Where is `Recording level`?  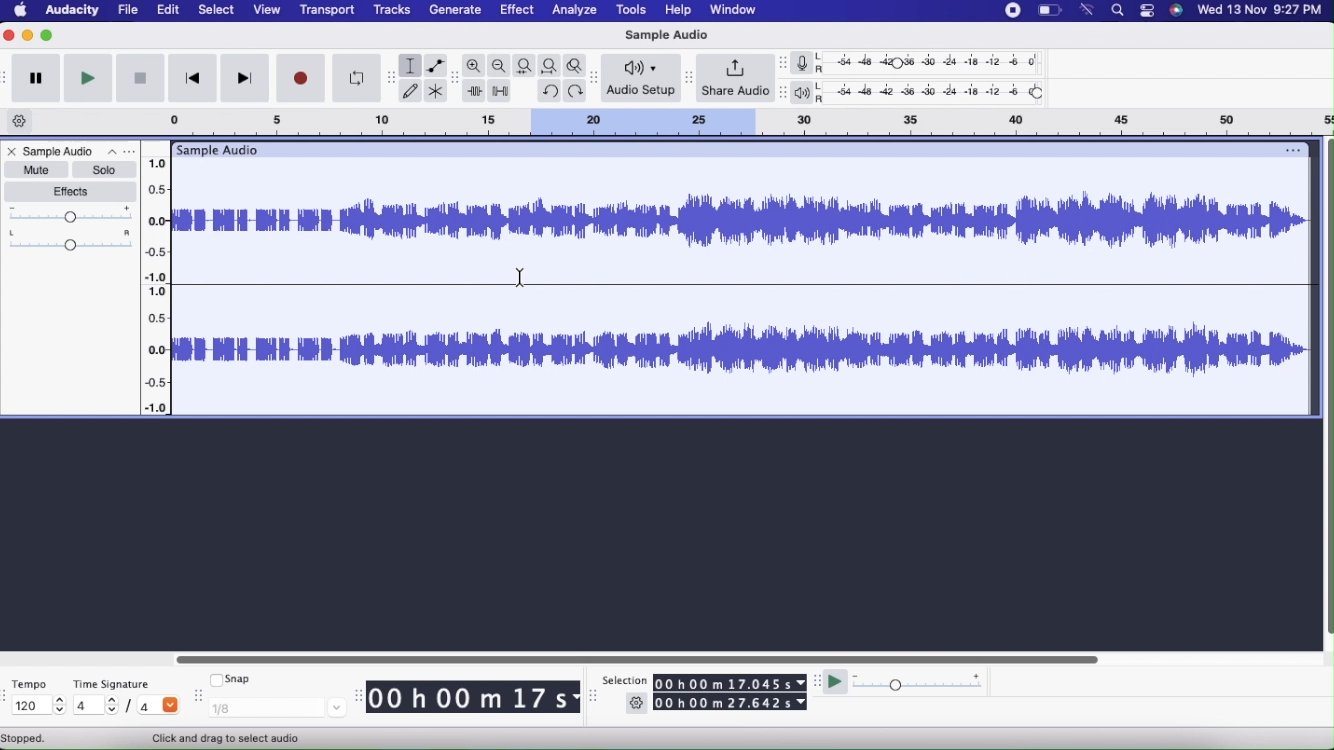
Recording level is located at coordinates (937, 65).